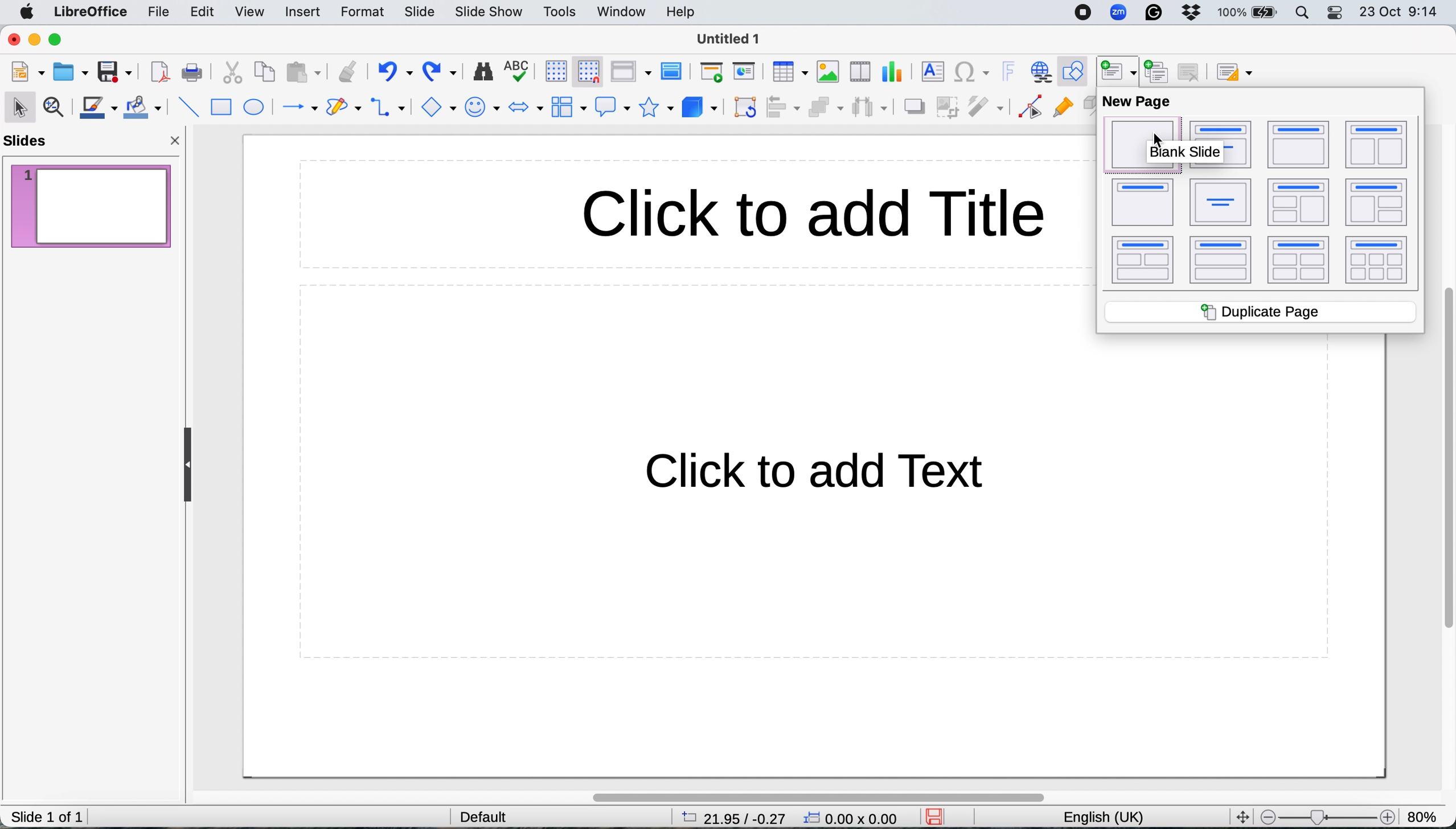  Describe the element at coordinates (1221, 261) in the screenshot. I see `title content over content` at that location.